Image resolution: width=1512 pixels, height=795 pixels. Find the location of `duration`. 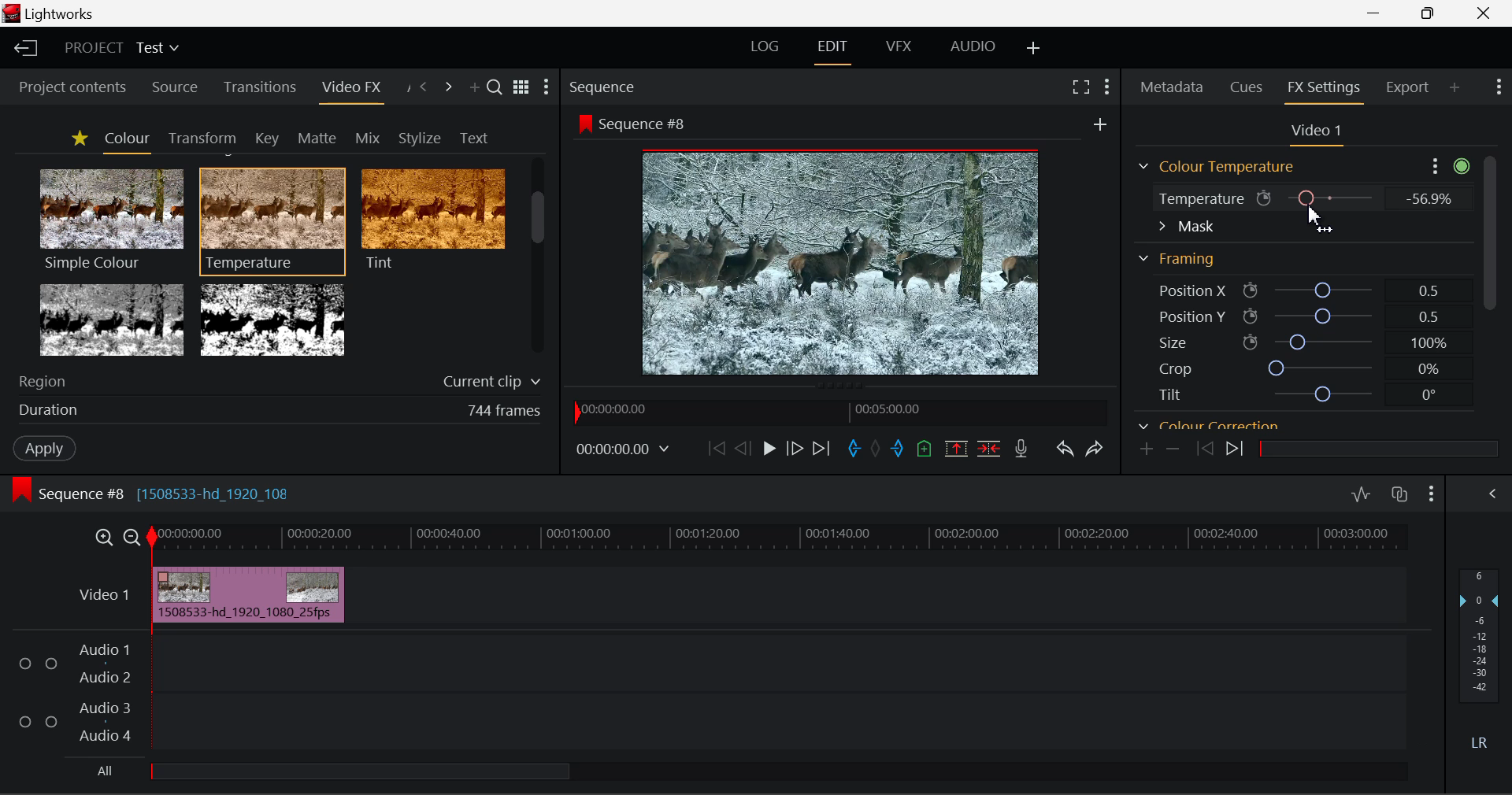

duration is located at coordinates (44, 411).